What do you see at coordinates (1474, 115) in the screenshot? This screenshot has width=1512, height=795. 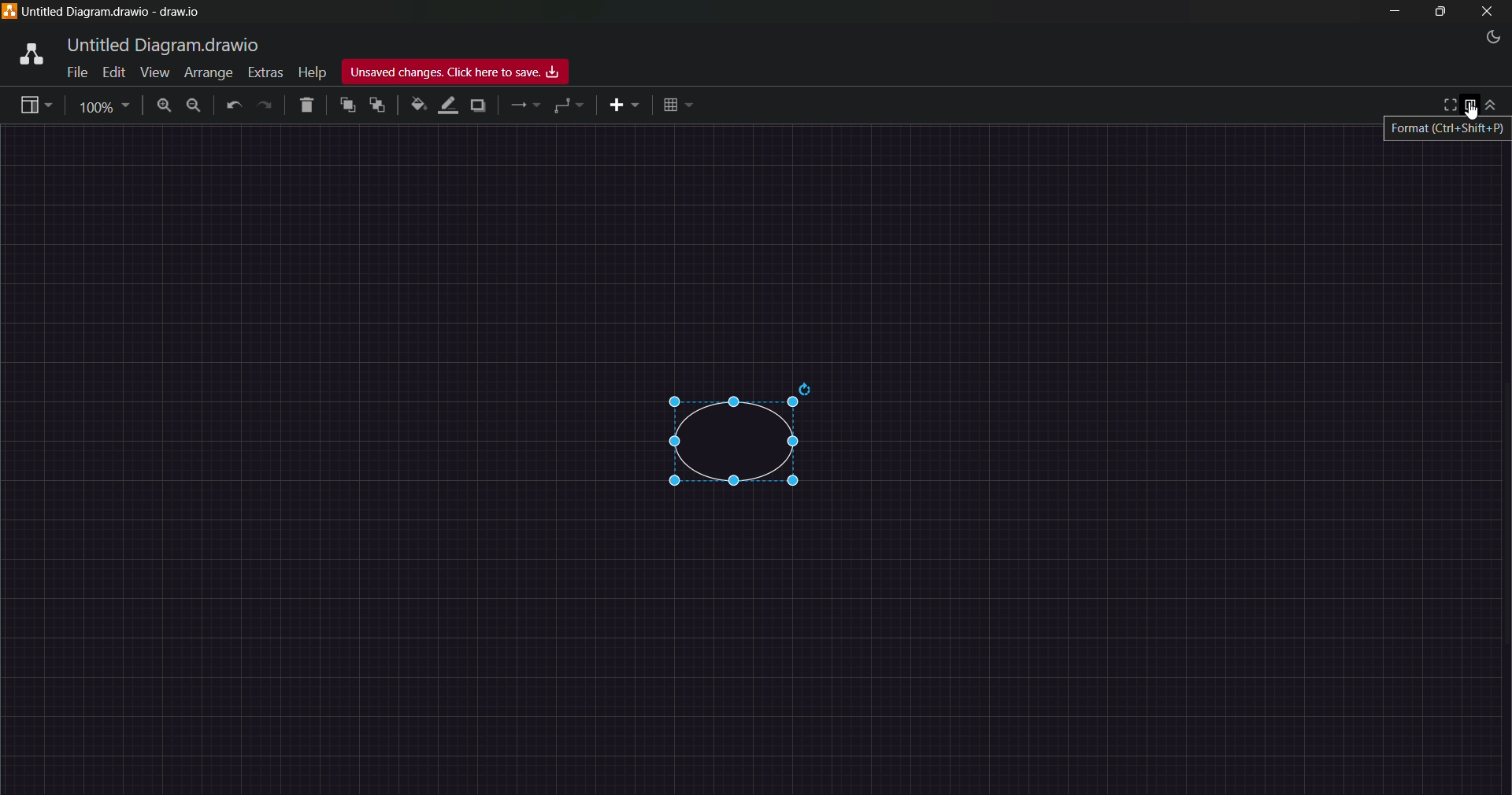 I see `cursor` at bounding box center [1474, 115].